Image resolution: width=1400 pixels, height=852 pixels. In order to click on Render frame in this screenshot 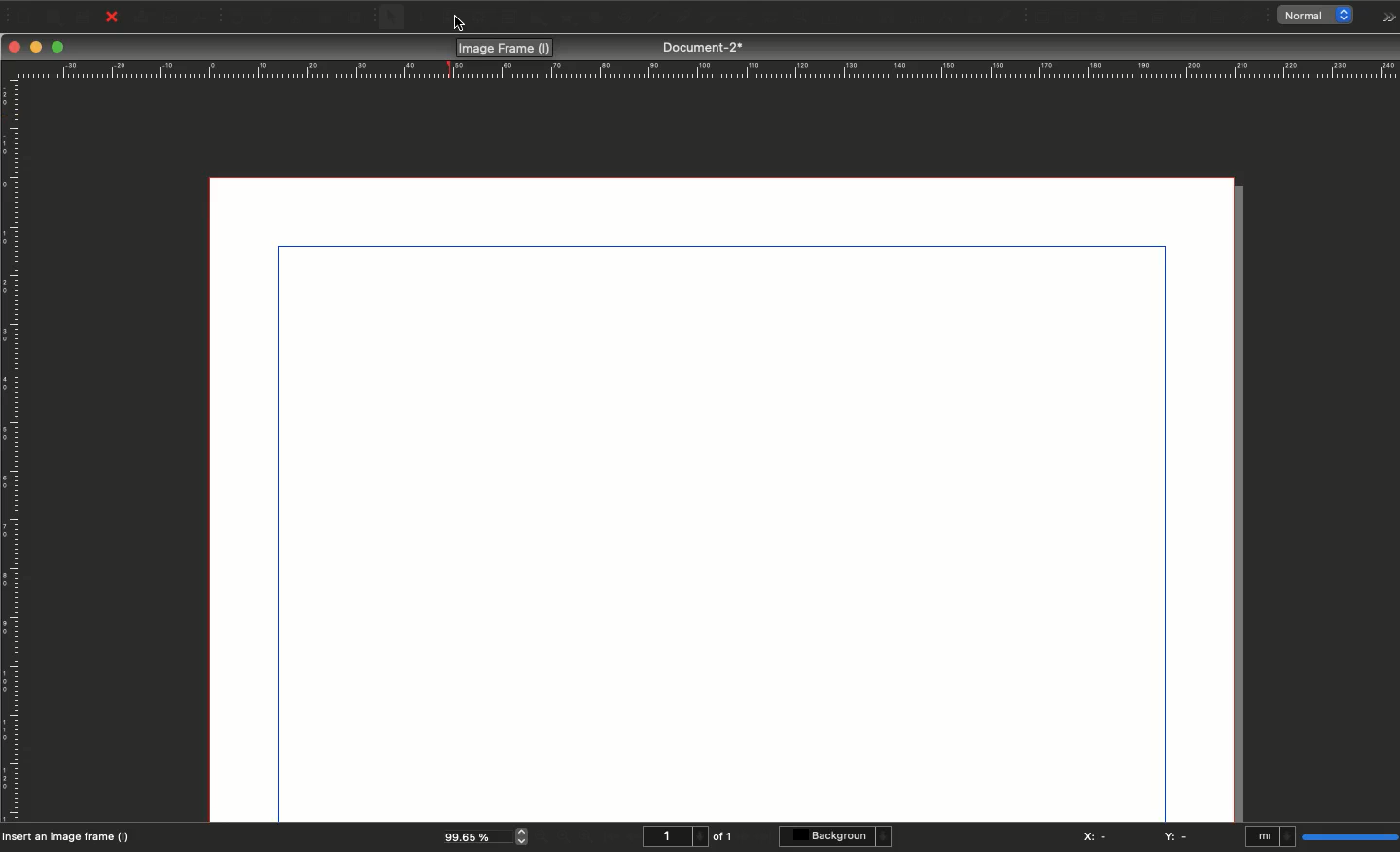, I will do `click(477, 18)`.